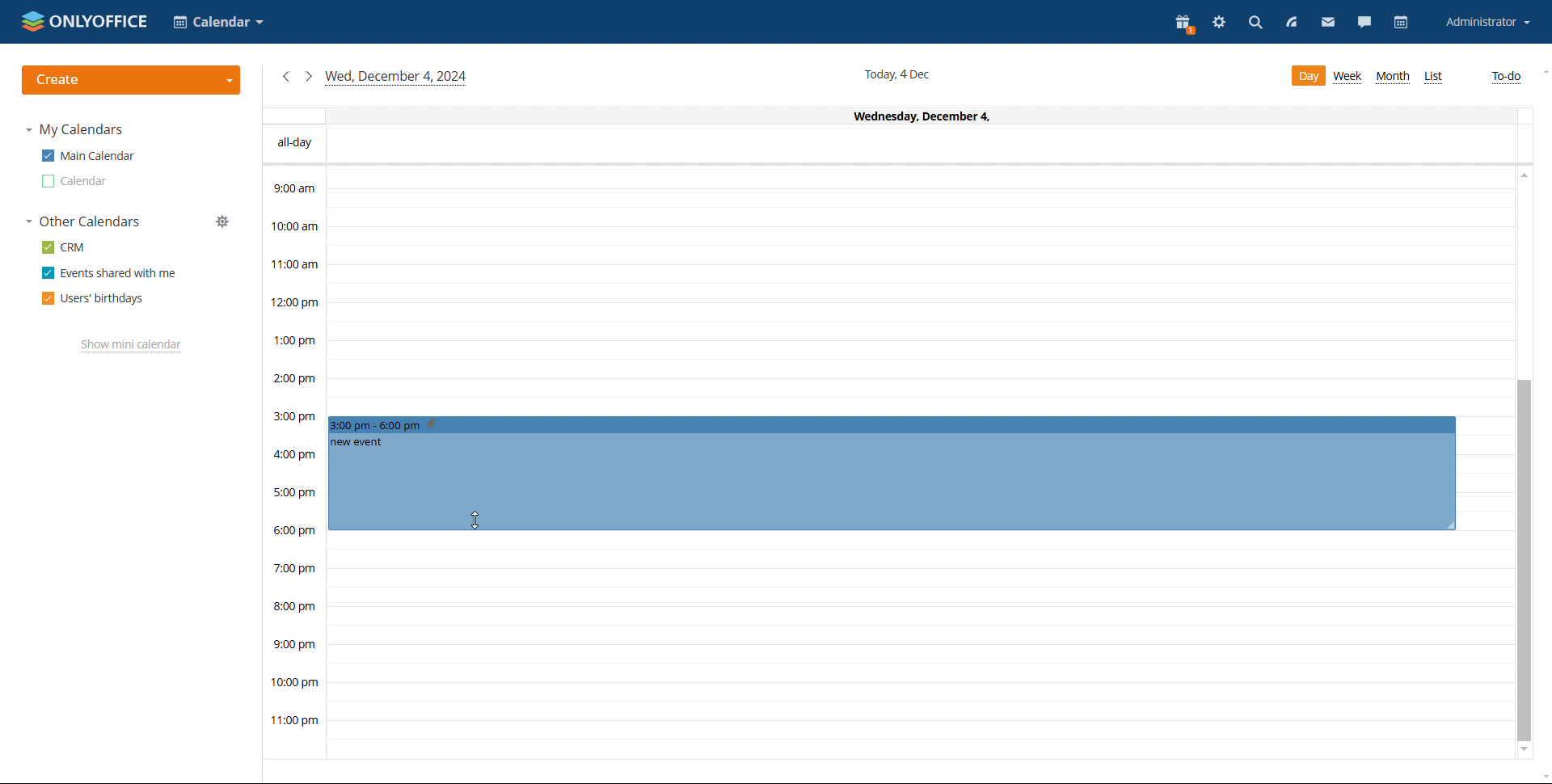 The width and height of the screenshot is (1552, 784). What do you see at coordinates (108, 273) in the screenshot?
I see `events shared with me` at bounding box center [108, 273].